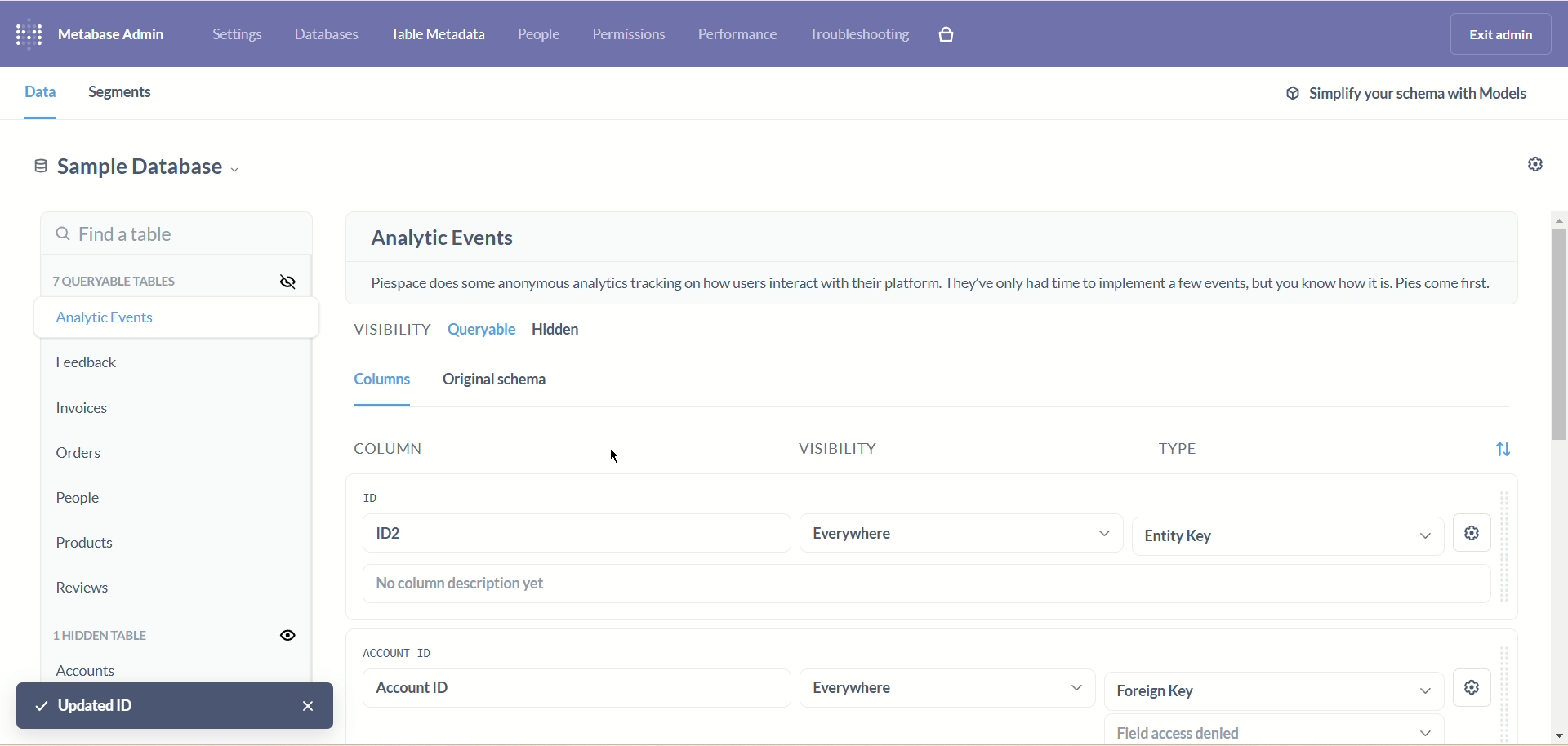  What do you see at coordinates (374, 495) in the screenshot?
I see `ID` at bounding box center [374, 495].